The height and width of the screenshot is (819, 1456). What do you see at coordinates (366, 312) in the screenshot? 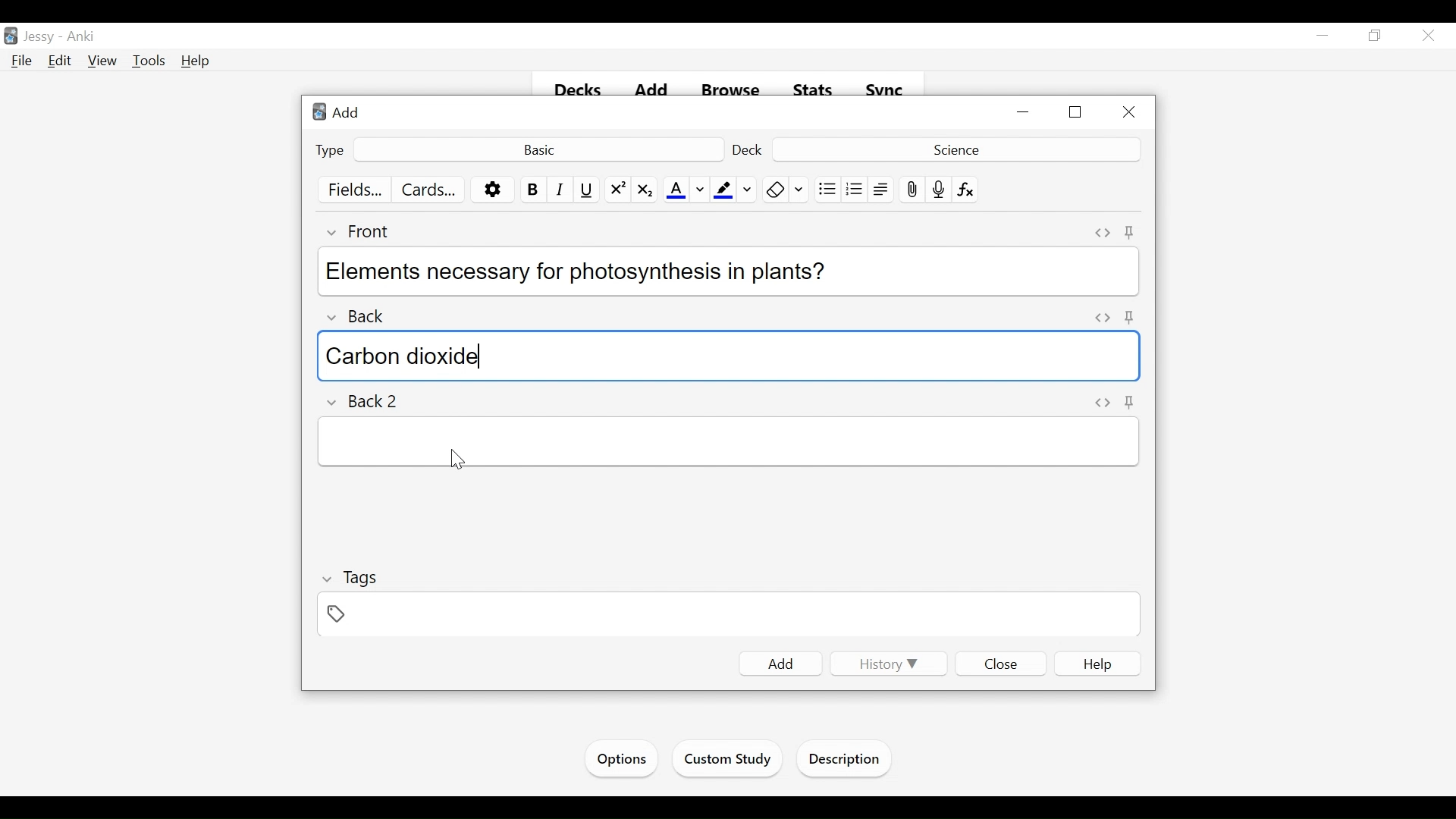
I see `Back` at bounding box center [366, 312].